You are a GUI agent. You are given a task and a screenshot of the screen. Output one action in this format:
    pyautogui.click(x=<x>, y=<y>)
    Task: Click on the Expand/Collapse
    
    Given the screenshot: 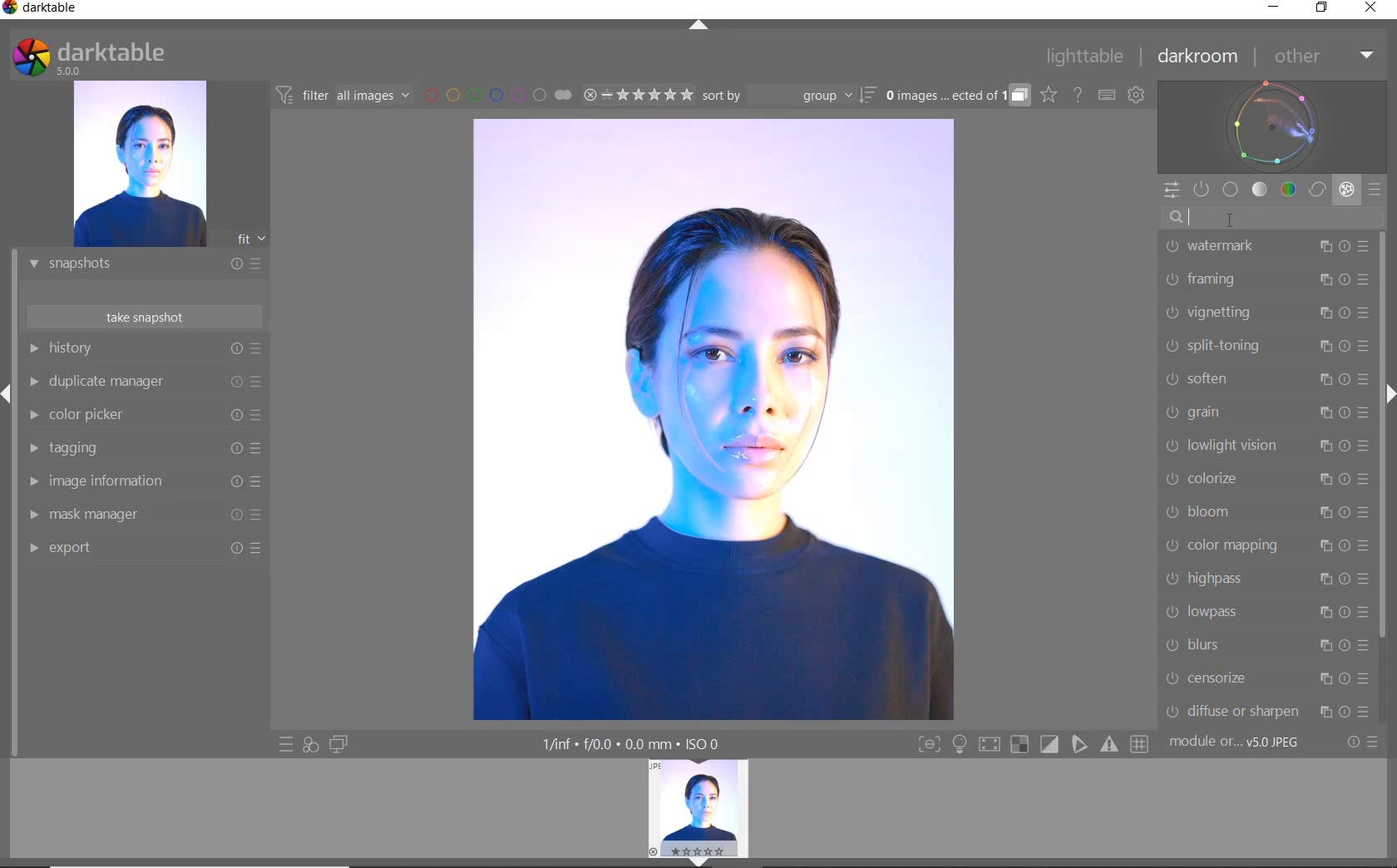 What is the action you would take?
    pyautogui.click(x=1388, y=392)
    